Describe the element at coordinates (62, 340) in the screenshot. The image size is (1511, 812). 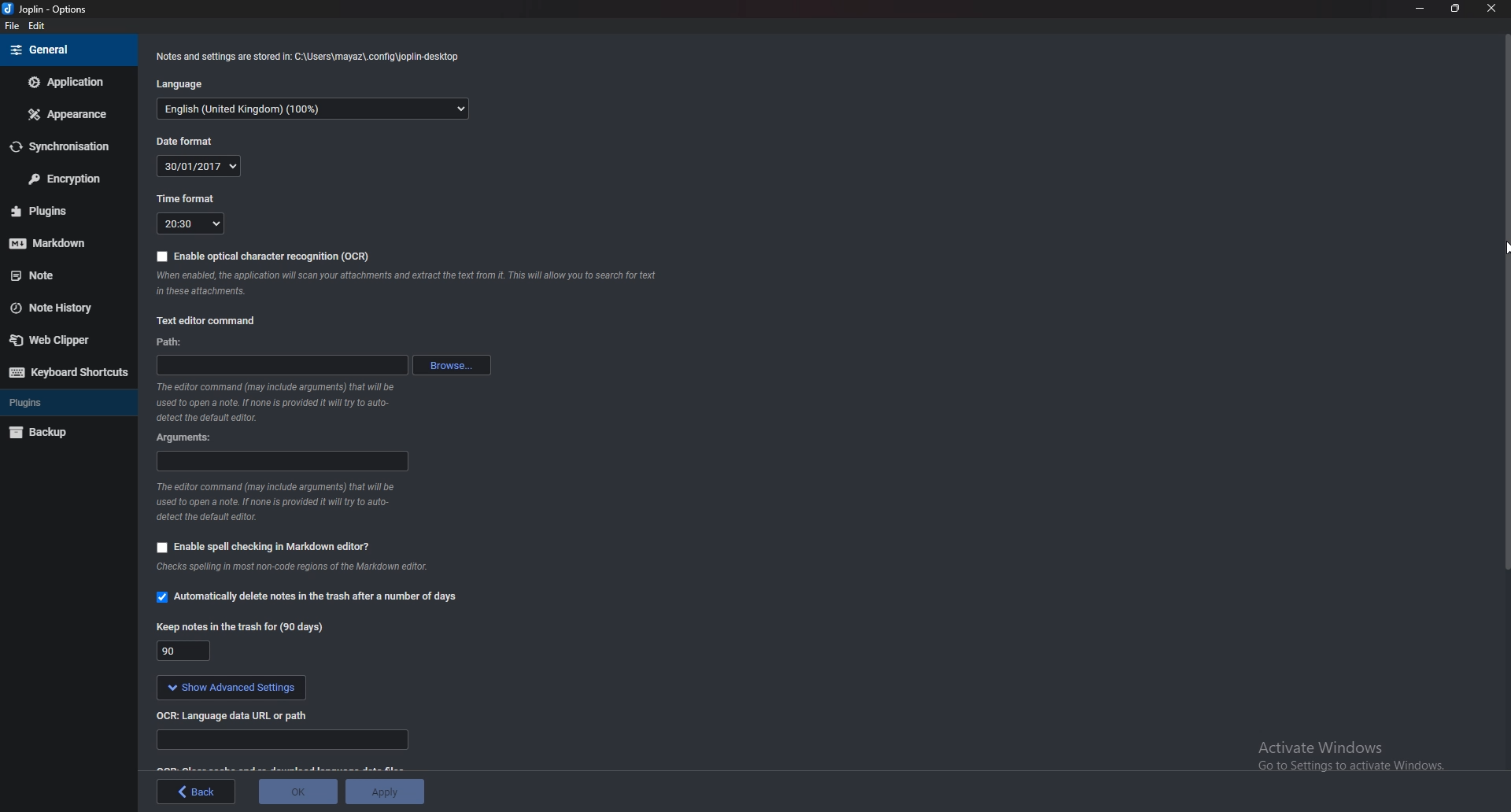
I see `Web clipper` at that location.